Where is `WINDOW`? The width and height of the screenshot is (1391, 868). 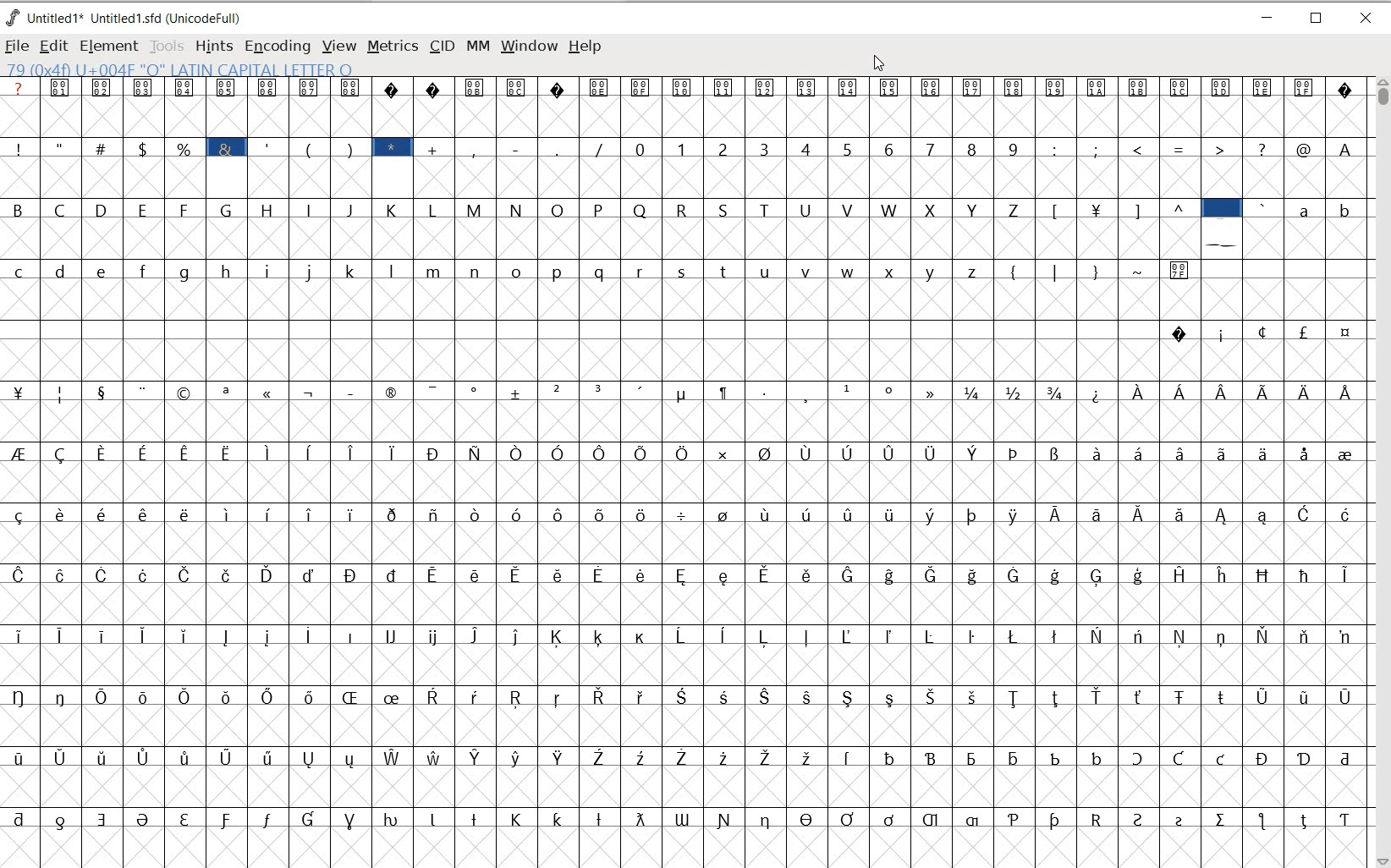 WINDOW is located at coordinates (528, 46).